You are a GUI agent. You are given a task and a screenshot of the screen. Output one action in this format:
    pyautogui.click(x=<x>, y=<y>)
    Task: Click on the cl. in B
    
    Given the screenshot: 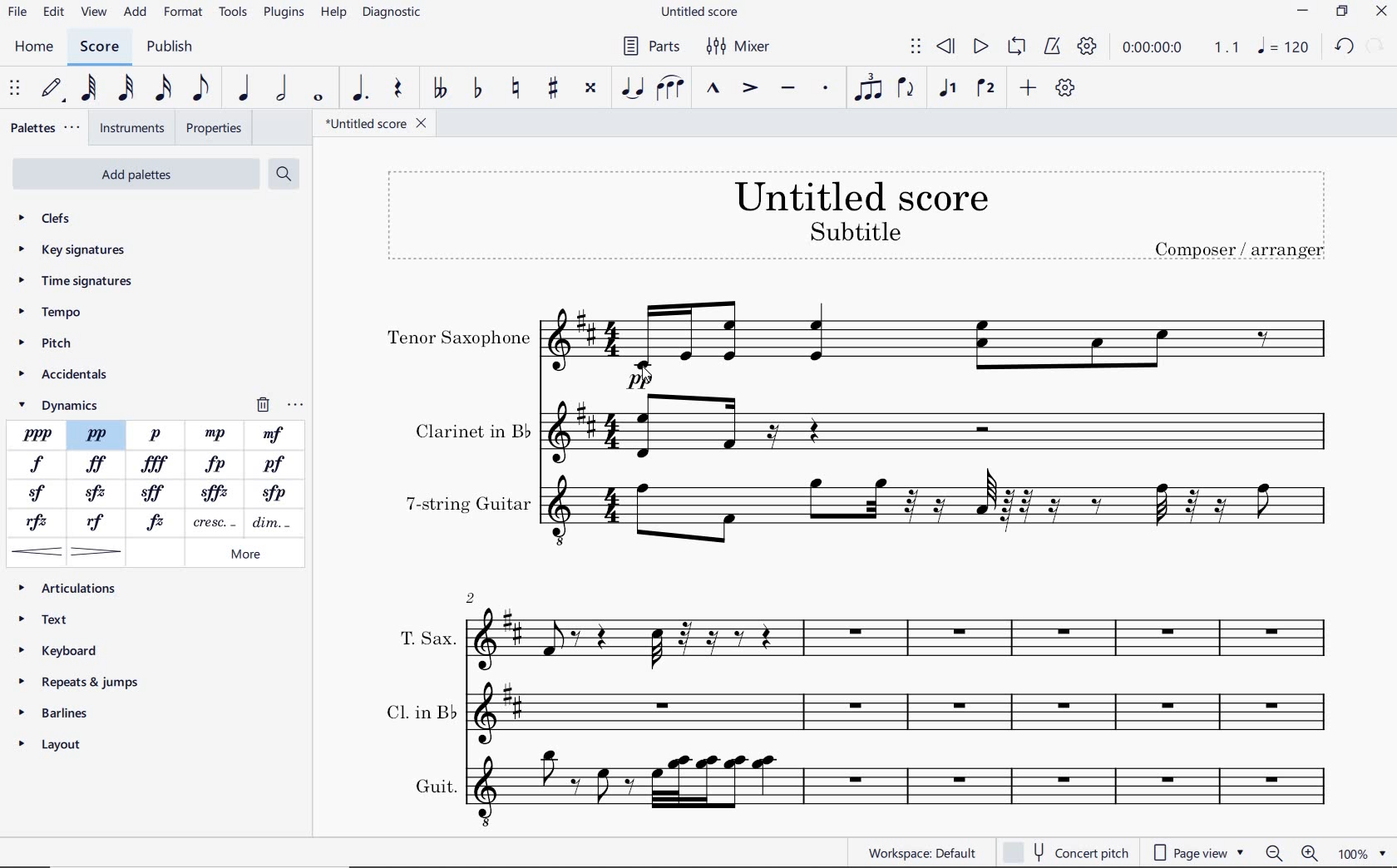 What is the action you would take?
    pyautogui.click(x=914, y=712)
    